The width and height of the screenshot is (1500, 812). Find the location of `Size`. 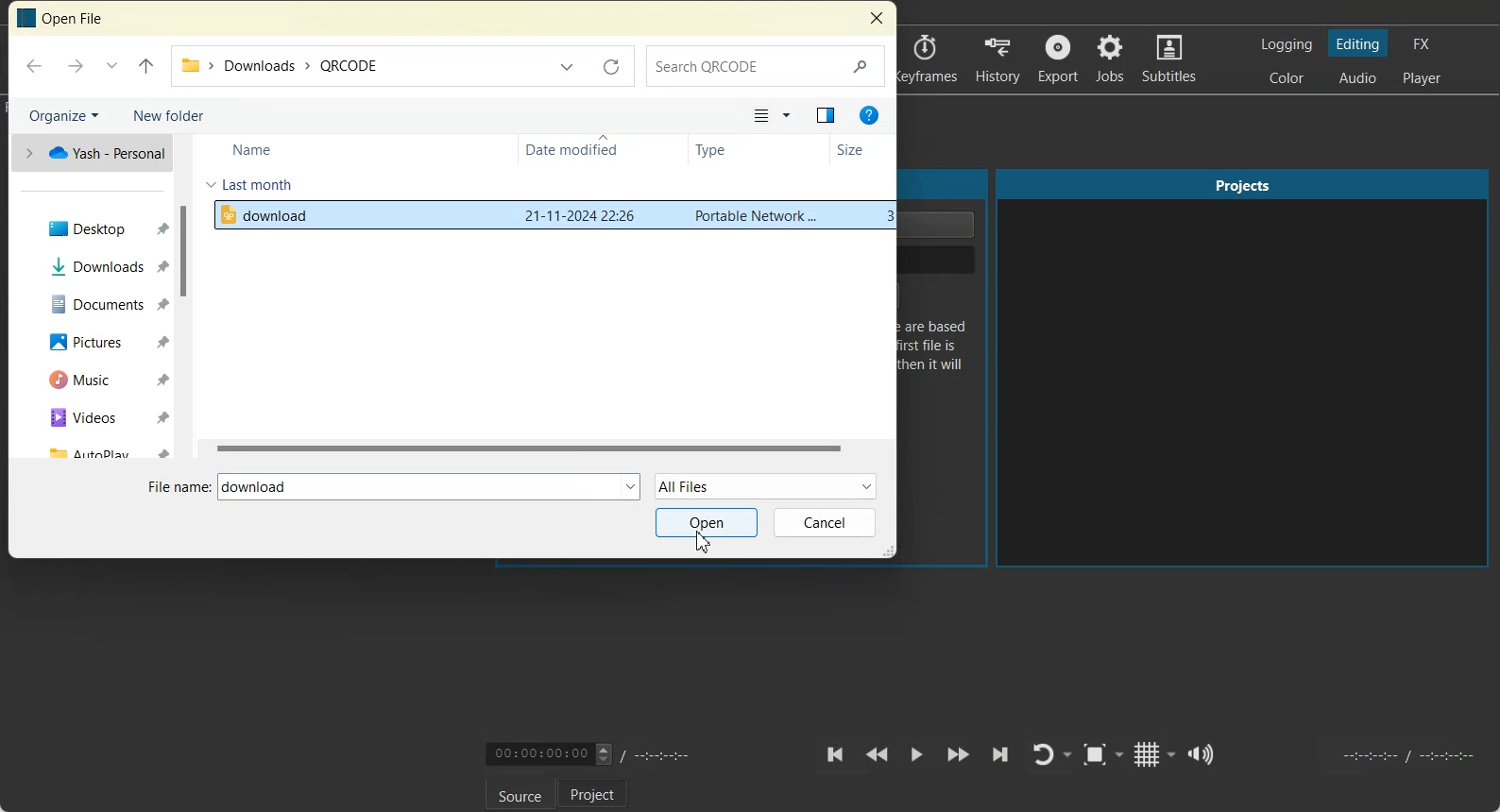

Size is located at coordinates (859, 151).